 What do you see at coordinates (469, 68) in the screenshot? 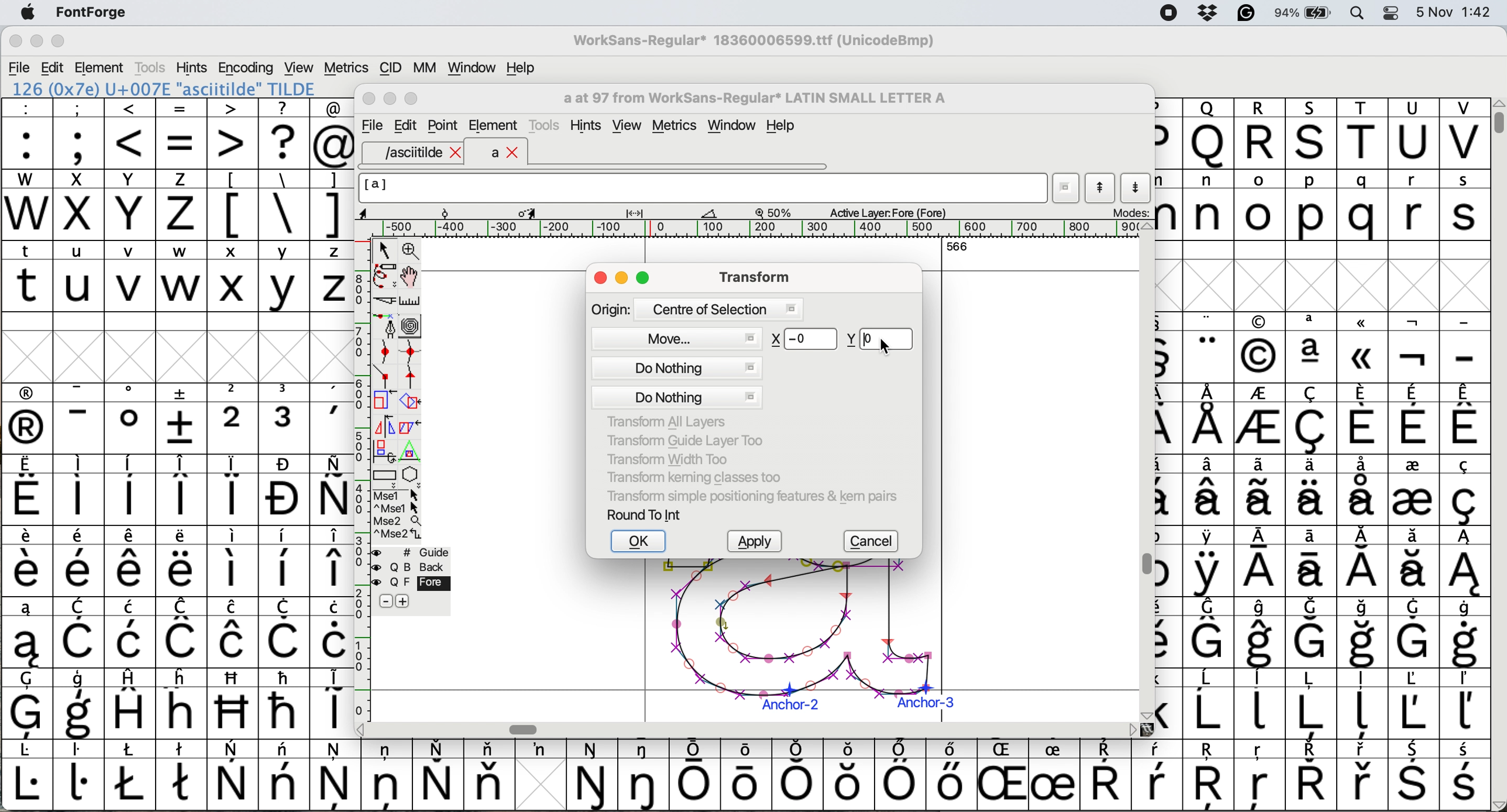
I see `window` at bounding box center [469, 68].